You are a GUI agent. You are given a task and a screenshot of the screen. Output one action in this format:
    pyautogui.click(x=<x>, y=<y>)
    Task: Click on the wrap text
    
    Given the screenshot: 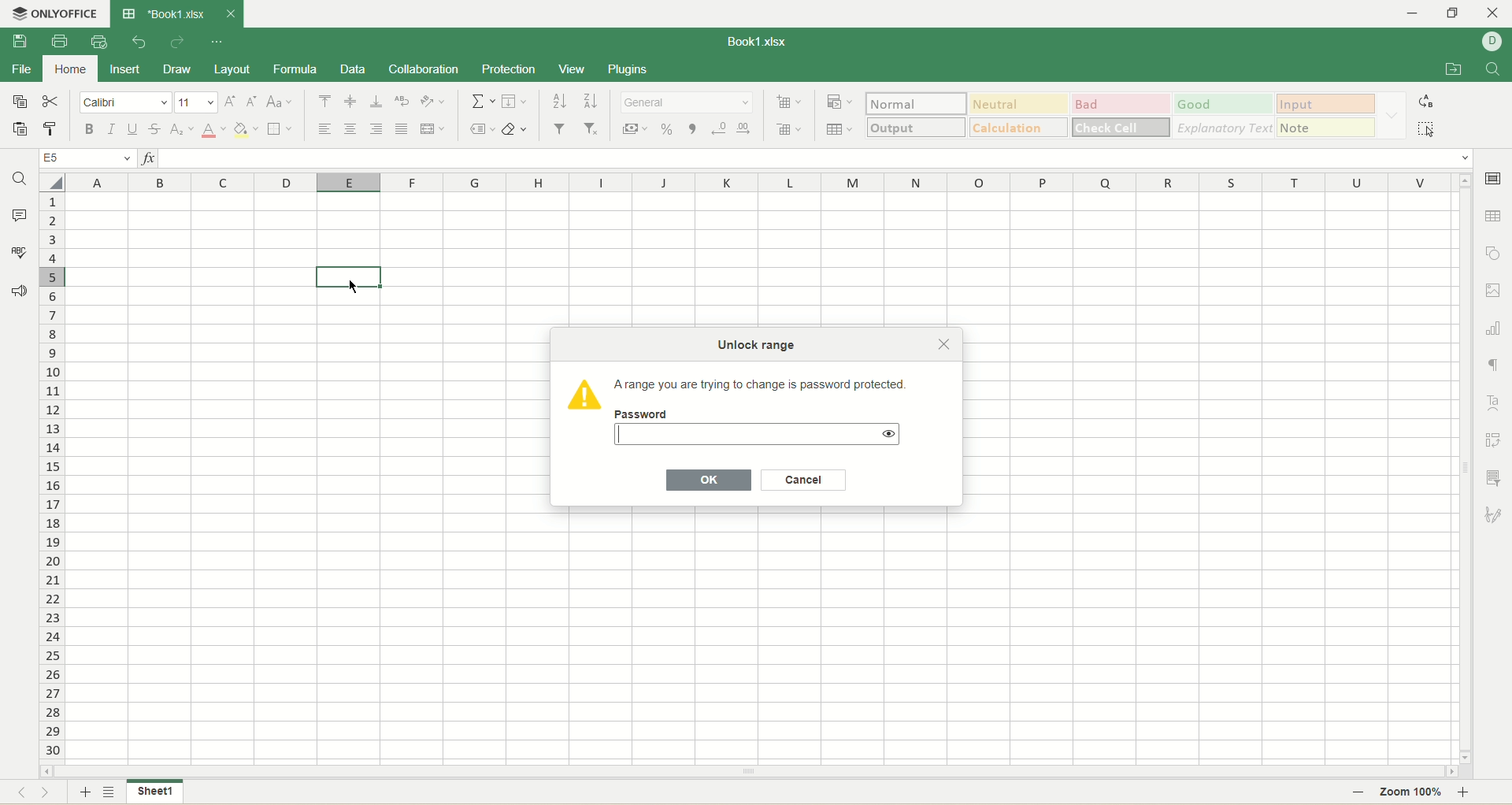 What is the action you would take?
    pyautogui.click(x=402, y=101)
    